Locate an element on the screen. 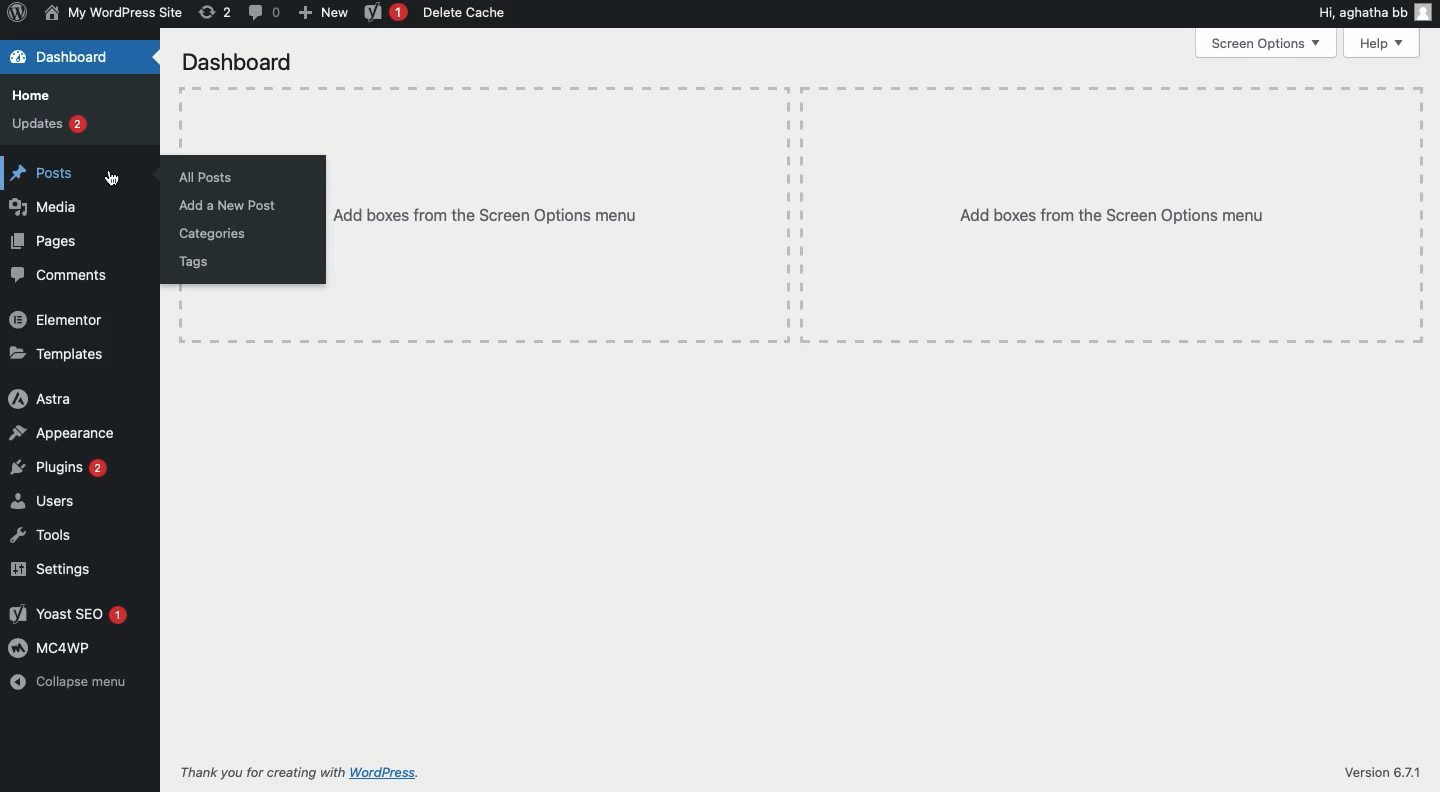 The height and width of the screenshot is (792, 1440). Add a new post is located at coordinates (226, 205).